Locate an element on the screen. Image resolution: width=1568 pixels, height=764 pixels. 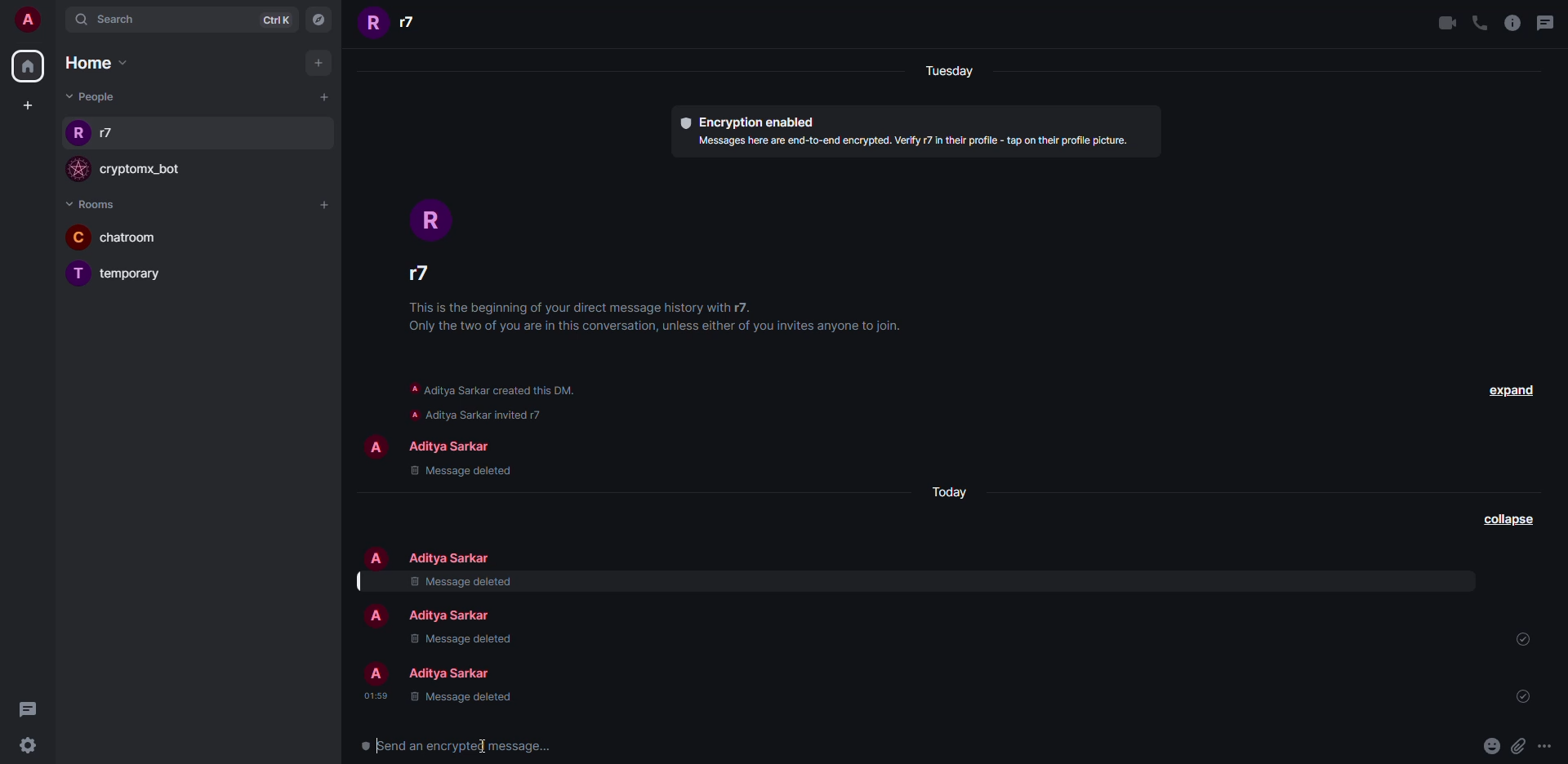
profile is located at coordinates (372, 24).